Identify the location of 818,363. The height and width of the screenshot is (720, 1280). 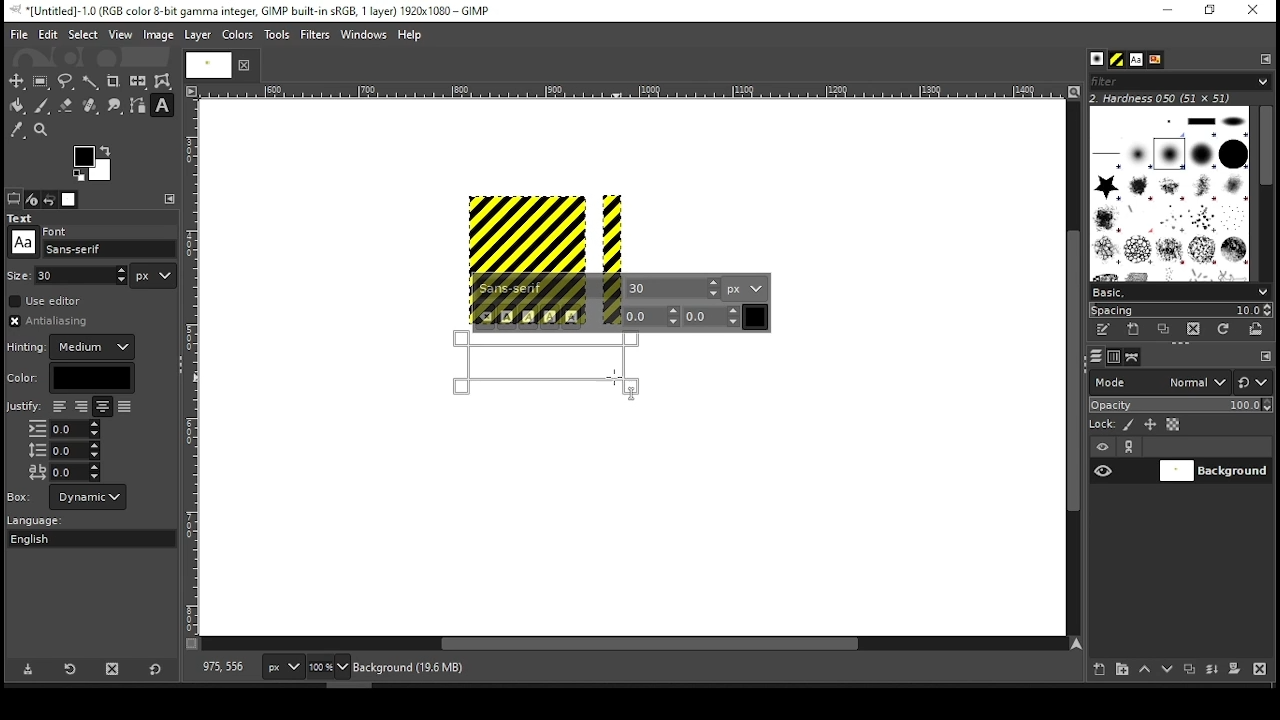
(221, 667).